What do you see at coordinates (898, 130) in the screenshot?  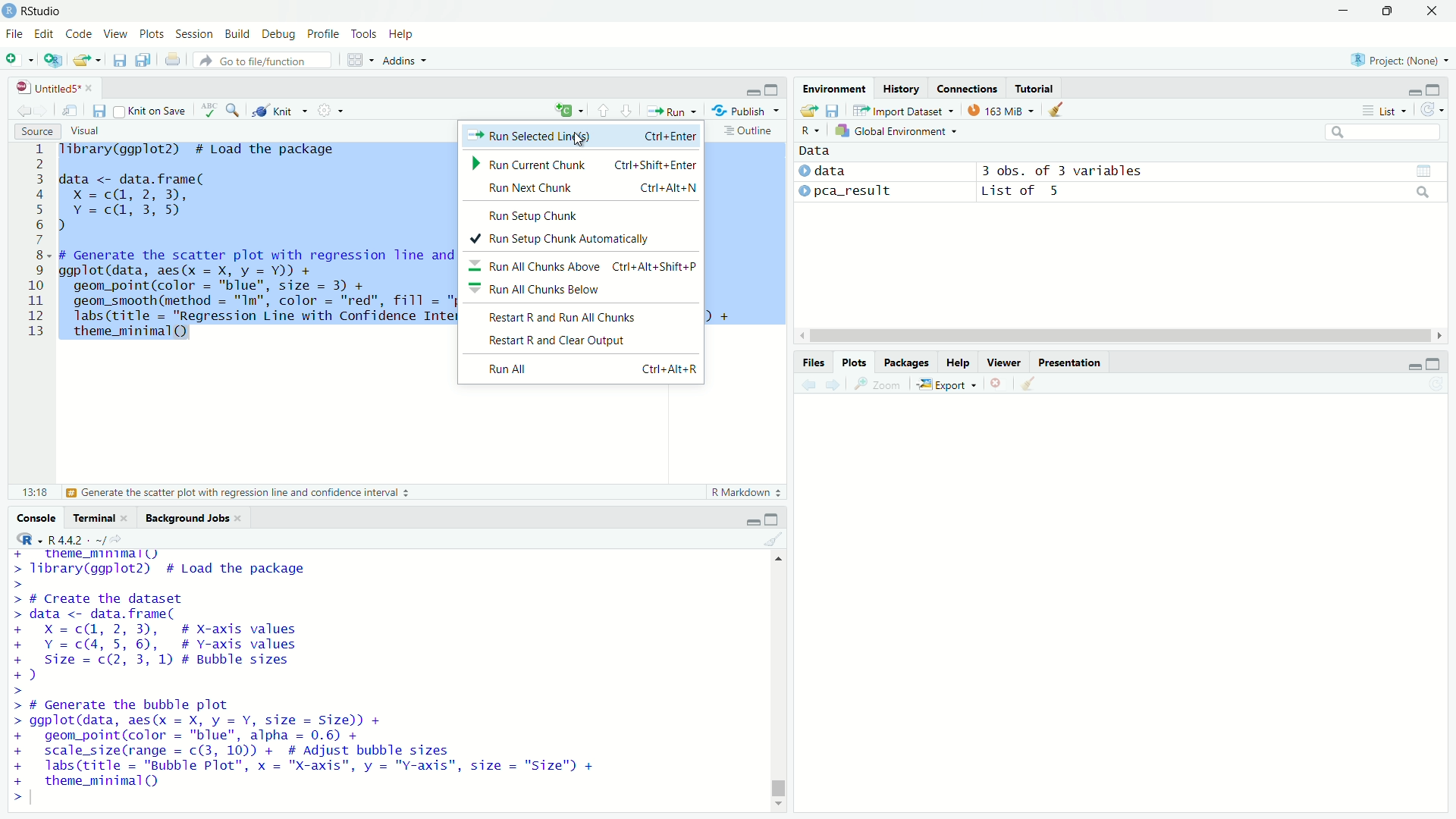 I see `Global Environment` at bounding box center [898, 130].